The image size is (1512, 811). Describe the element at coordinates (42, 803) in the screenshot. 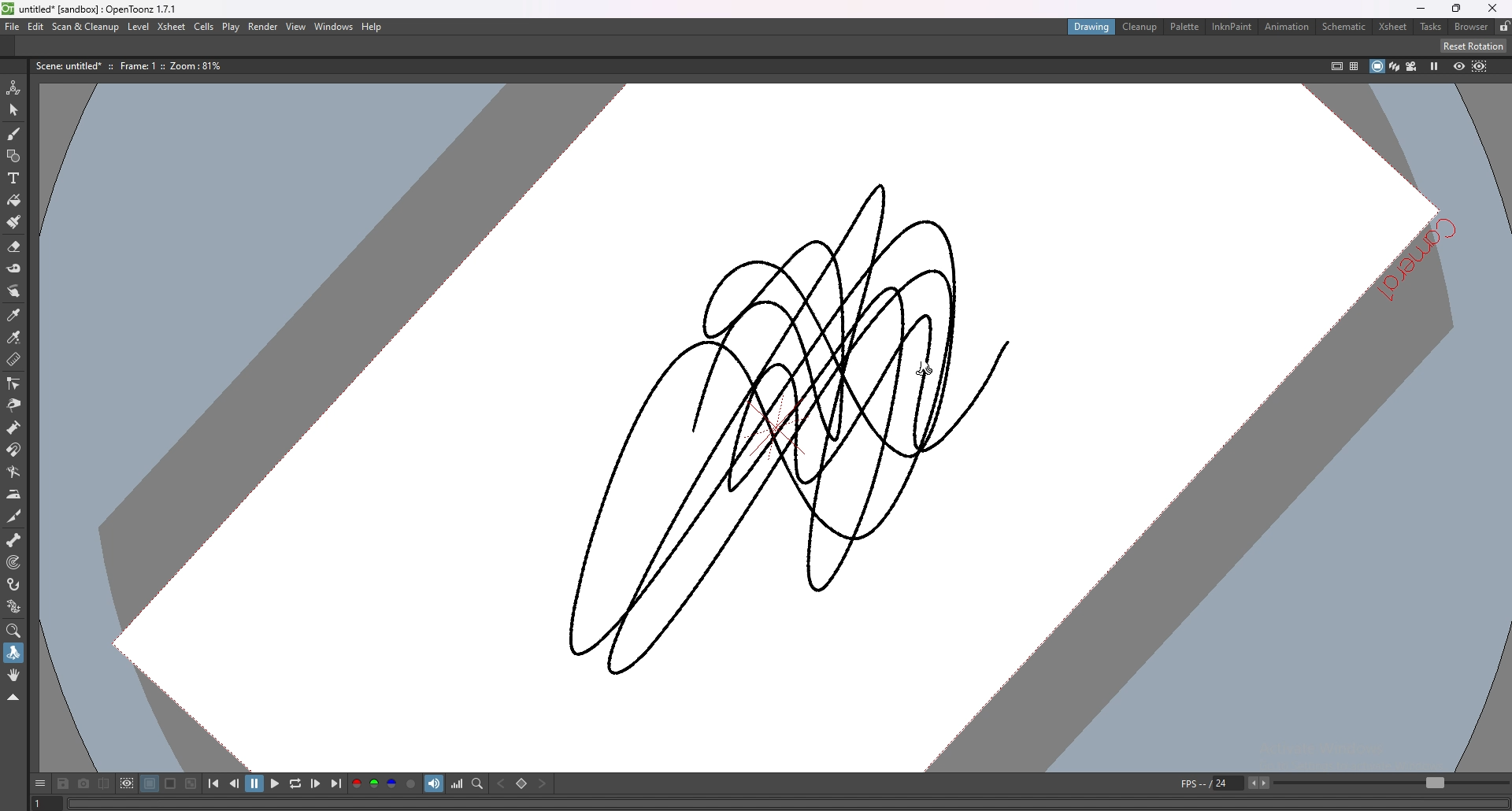

I see `1` at that location.